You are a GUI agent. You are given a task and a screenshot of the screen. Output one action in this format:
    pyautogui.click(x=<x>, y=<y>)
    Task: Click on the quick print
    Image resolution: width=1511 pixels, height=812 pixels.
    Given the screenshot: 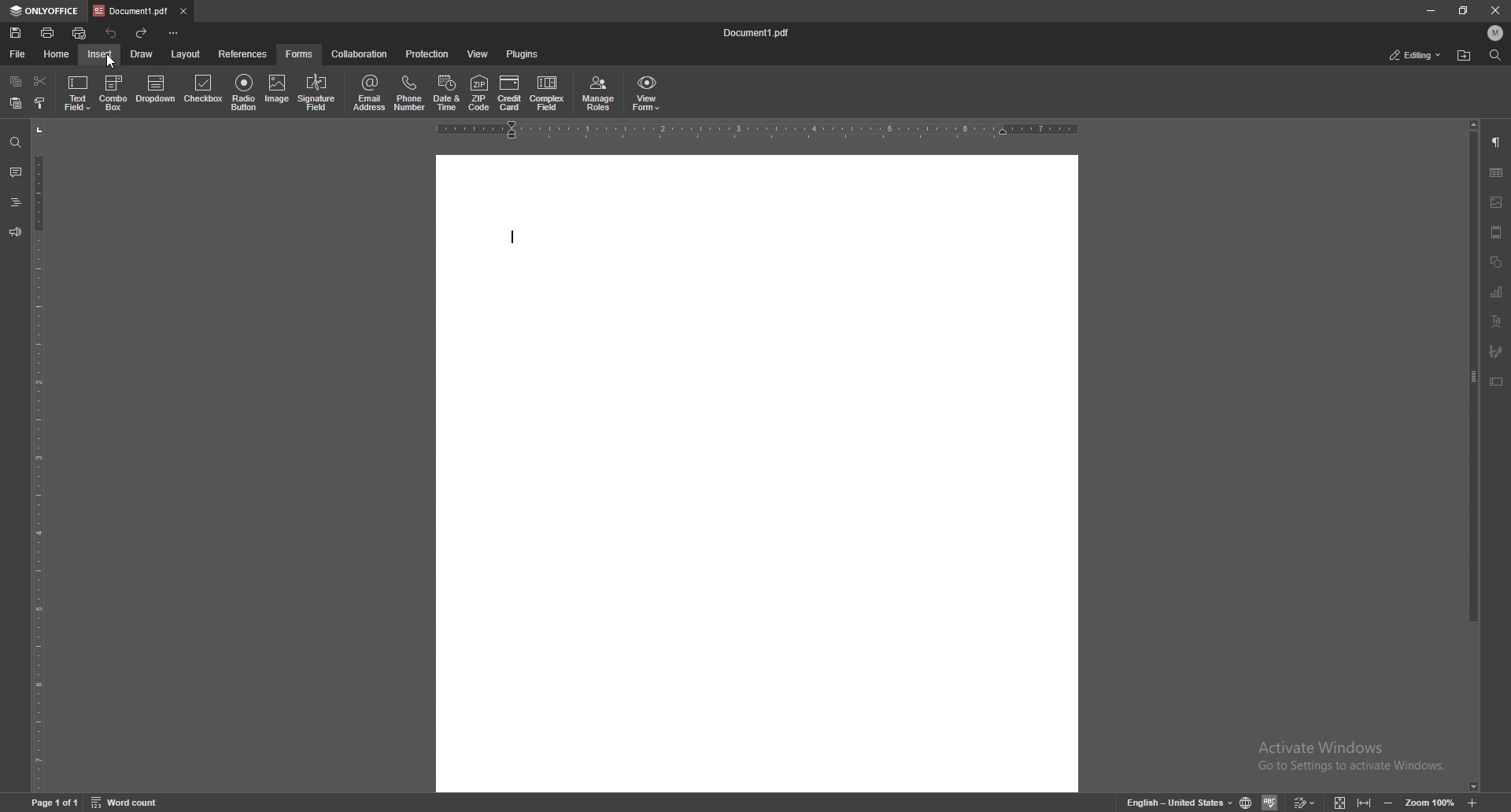 What is the action you would take?
    pyautogui.click(x=79, y=33)
    